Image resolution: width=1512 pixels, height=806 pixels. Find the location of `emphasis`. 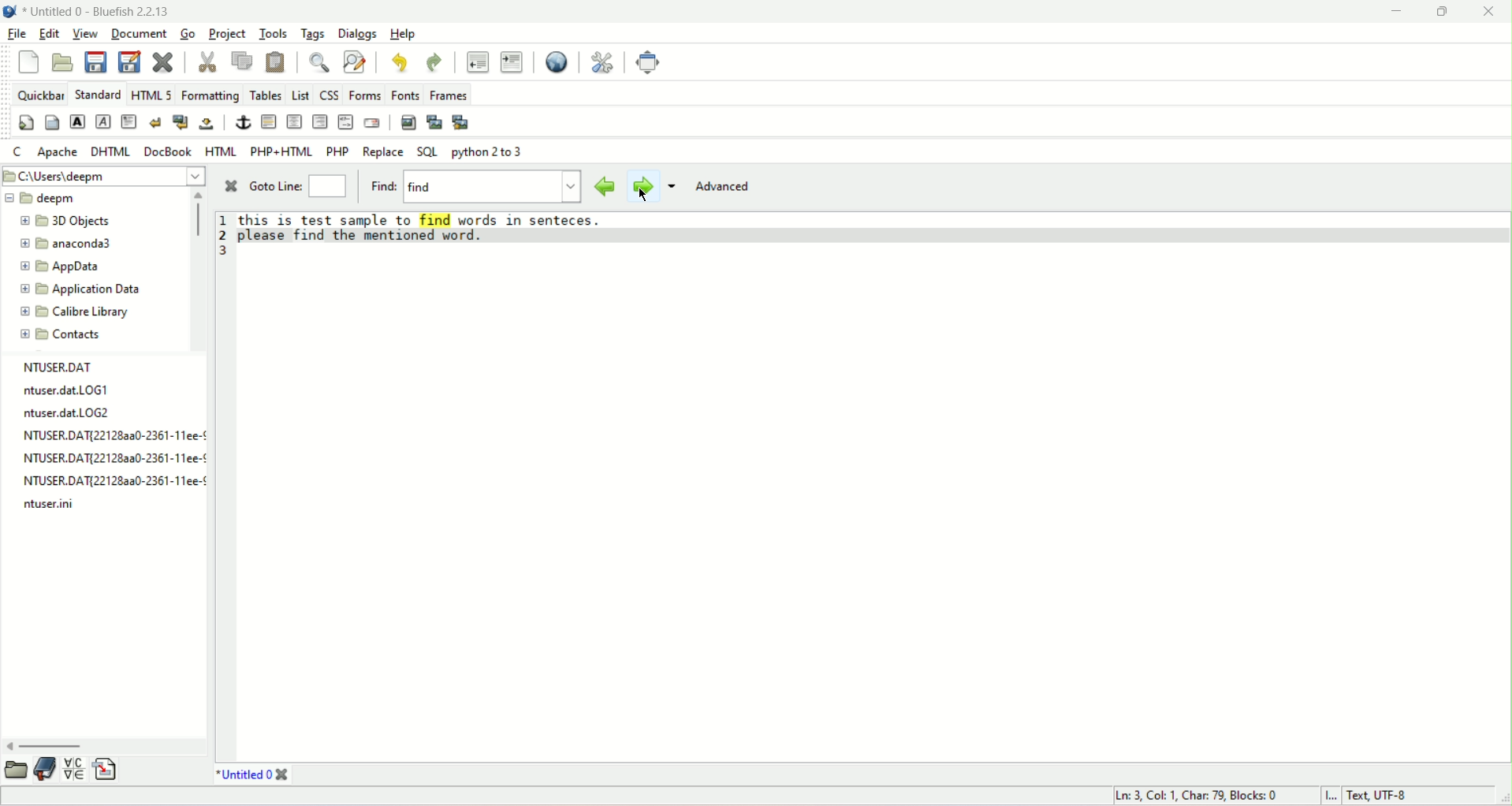

emphasis is located at coordinates (103, 122).